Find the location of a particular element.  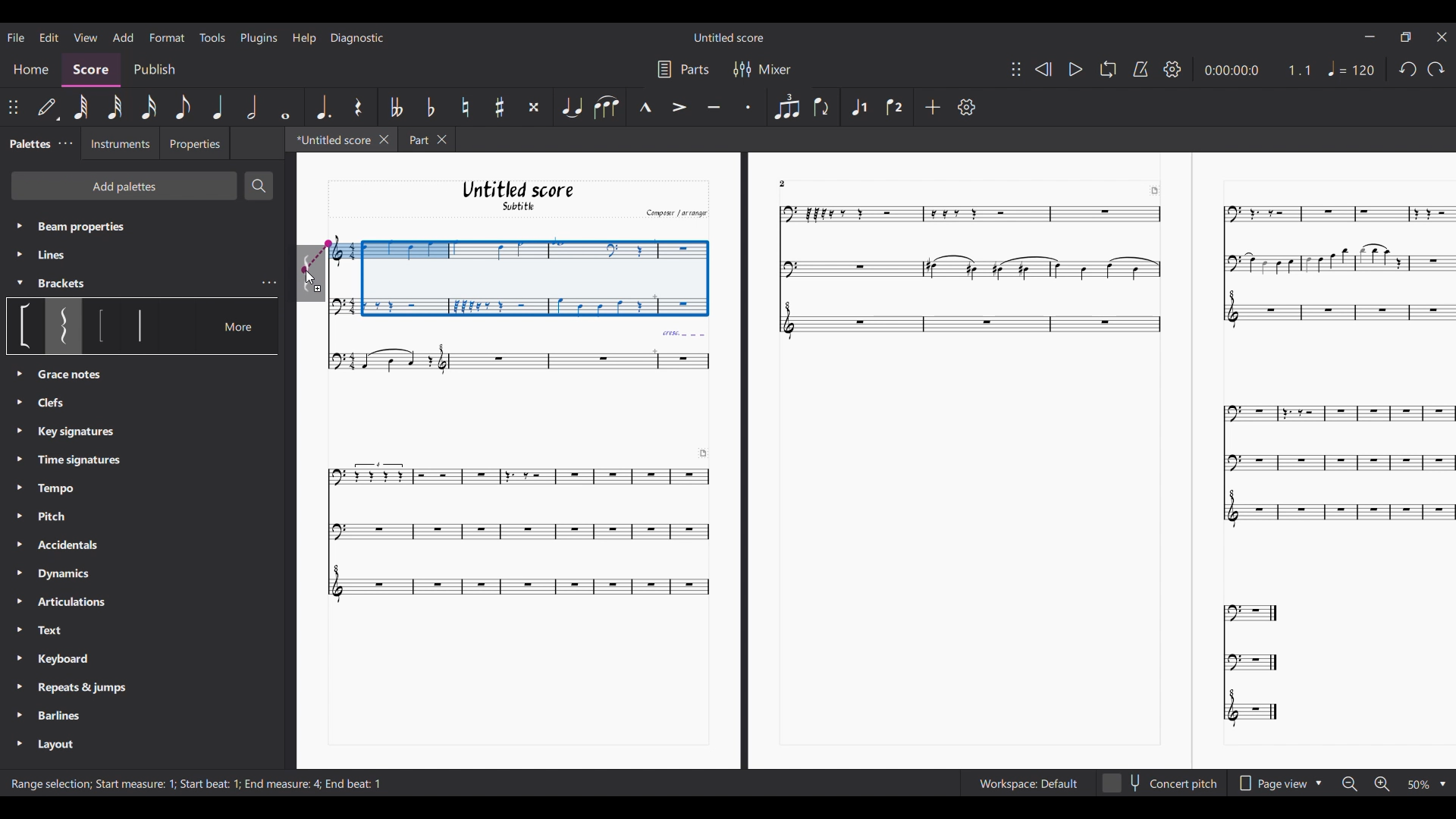

64th note is located at coordinates (83, 108).